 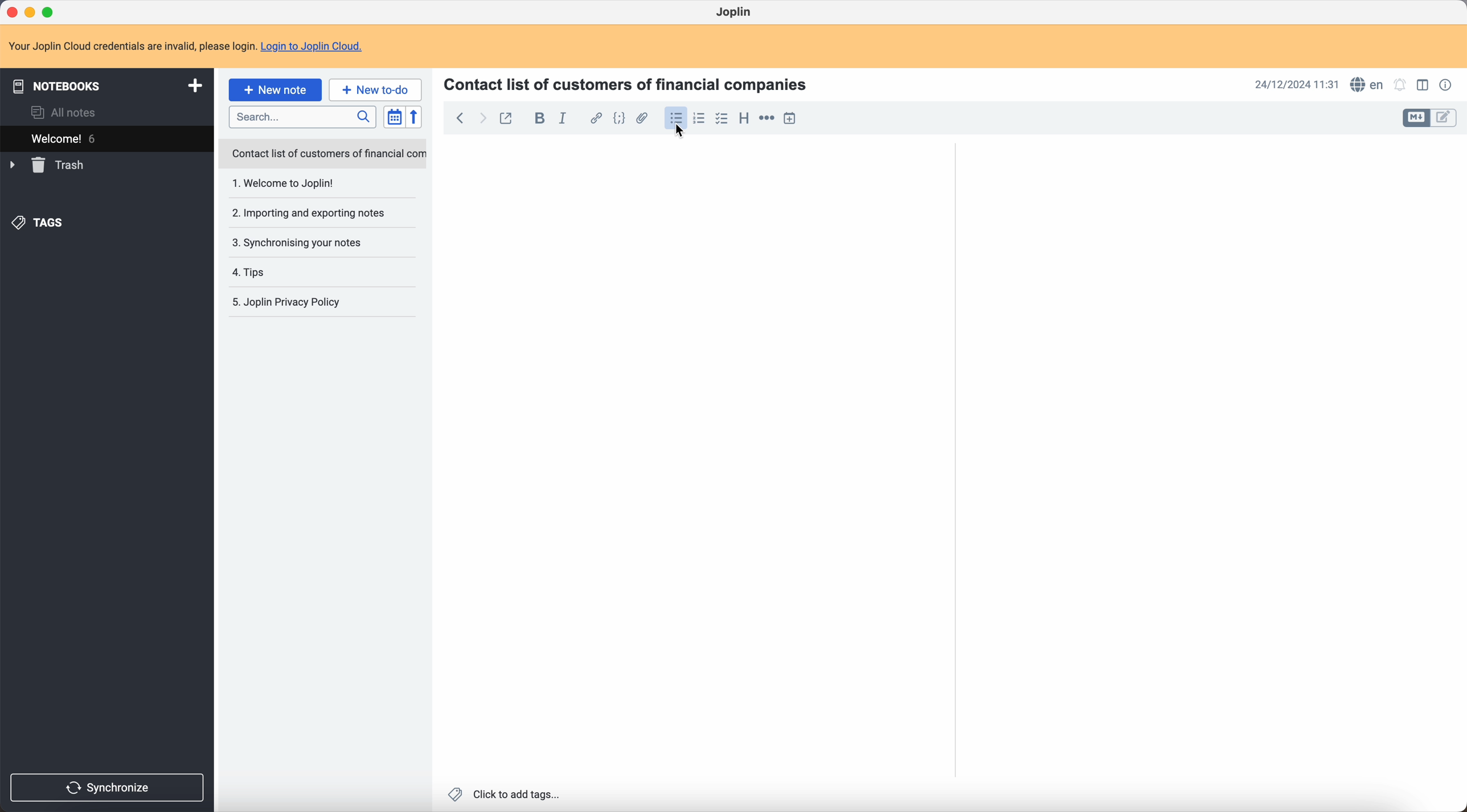 I want to click on toggle edit layout, so click(x=1422, y=84).